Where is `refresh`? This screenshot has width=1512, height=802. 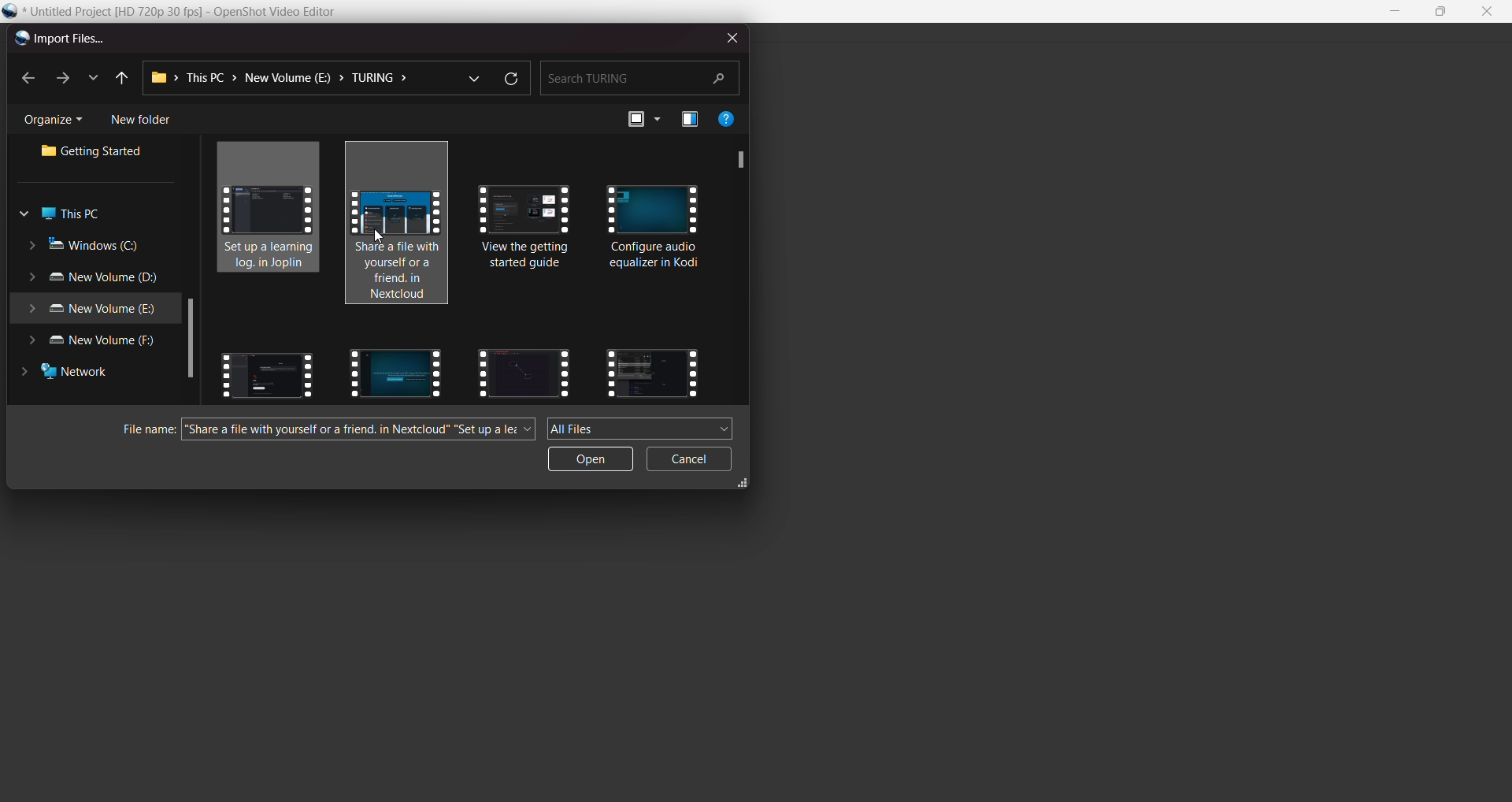
refresh is located at coordinates (510, 80).